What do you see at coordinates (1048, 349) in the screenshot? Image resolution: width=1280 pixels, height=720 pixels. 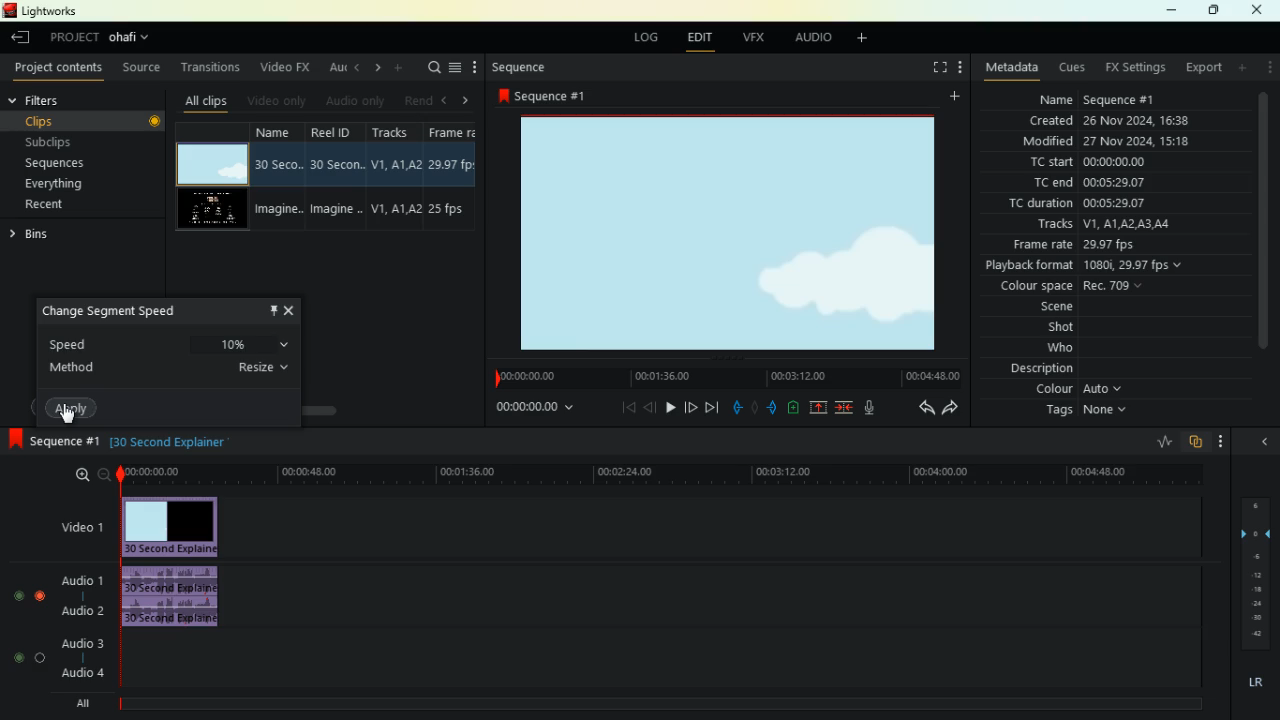 I see `who` at bounding box center [1048, 349].